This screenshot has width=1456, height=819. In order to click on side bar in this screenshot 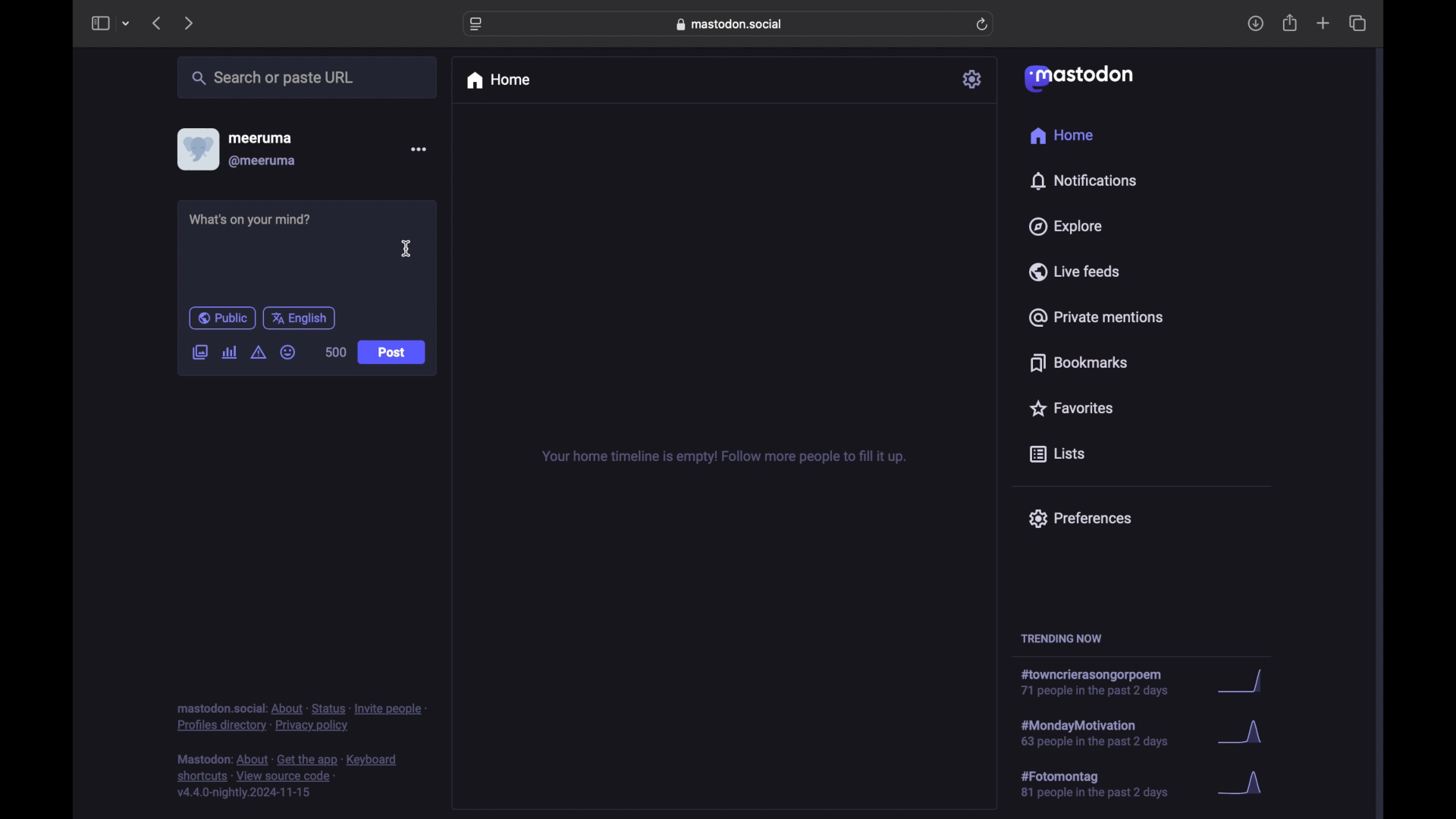, I will do `click(99, 23)`.